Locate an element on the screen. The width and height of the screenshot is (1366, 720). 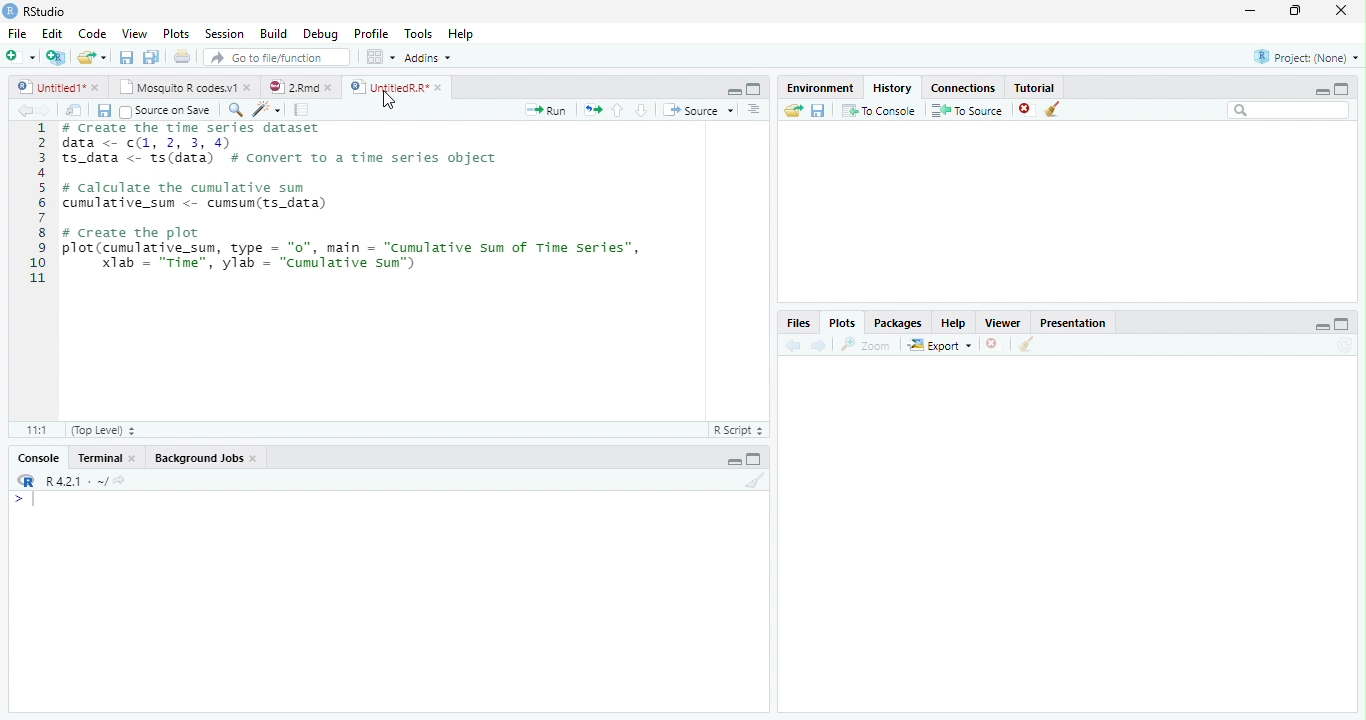
Maximize is located at coordinates (755, 91).